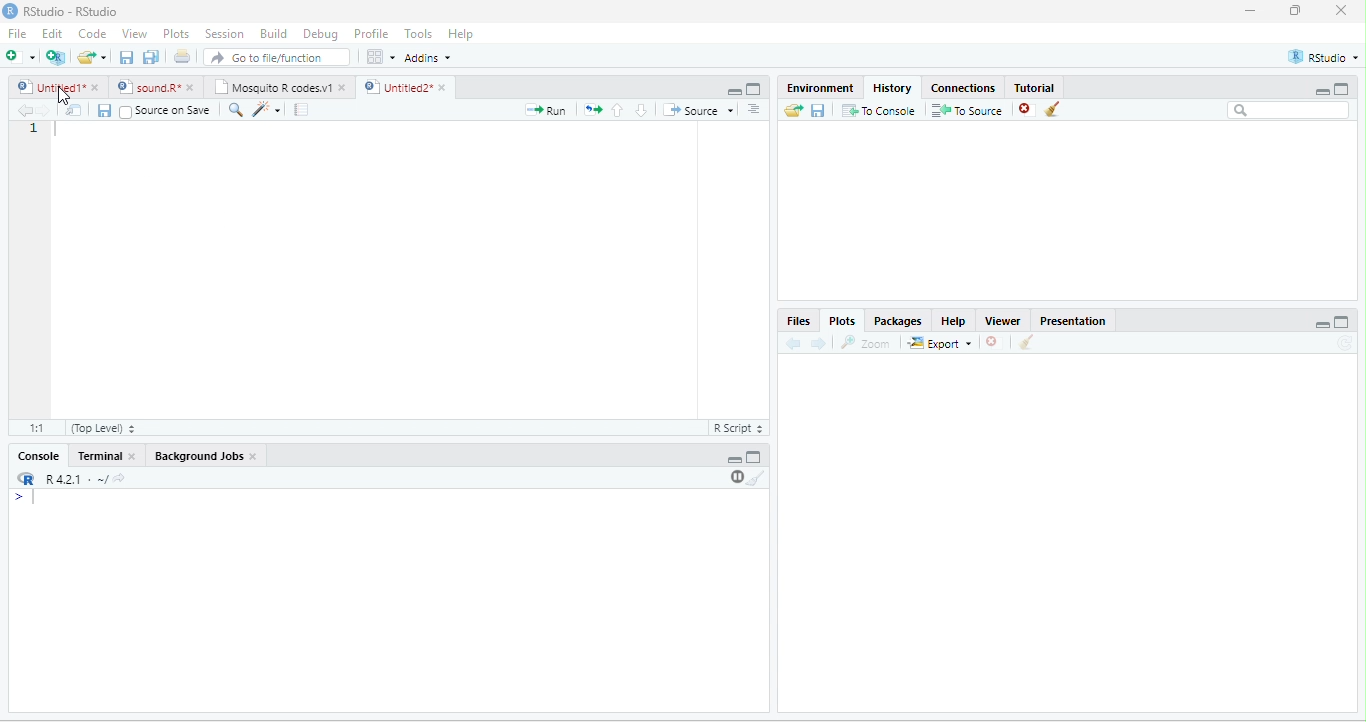 The height and width of the screenshot is (722, 1366). What do you see at coordinates (17, 33) in the screenshot?
I see `File` at bounding box center [17, 33].